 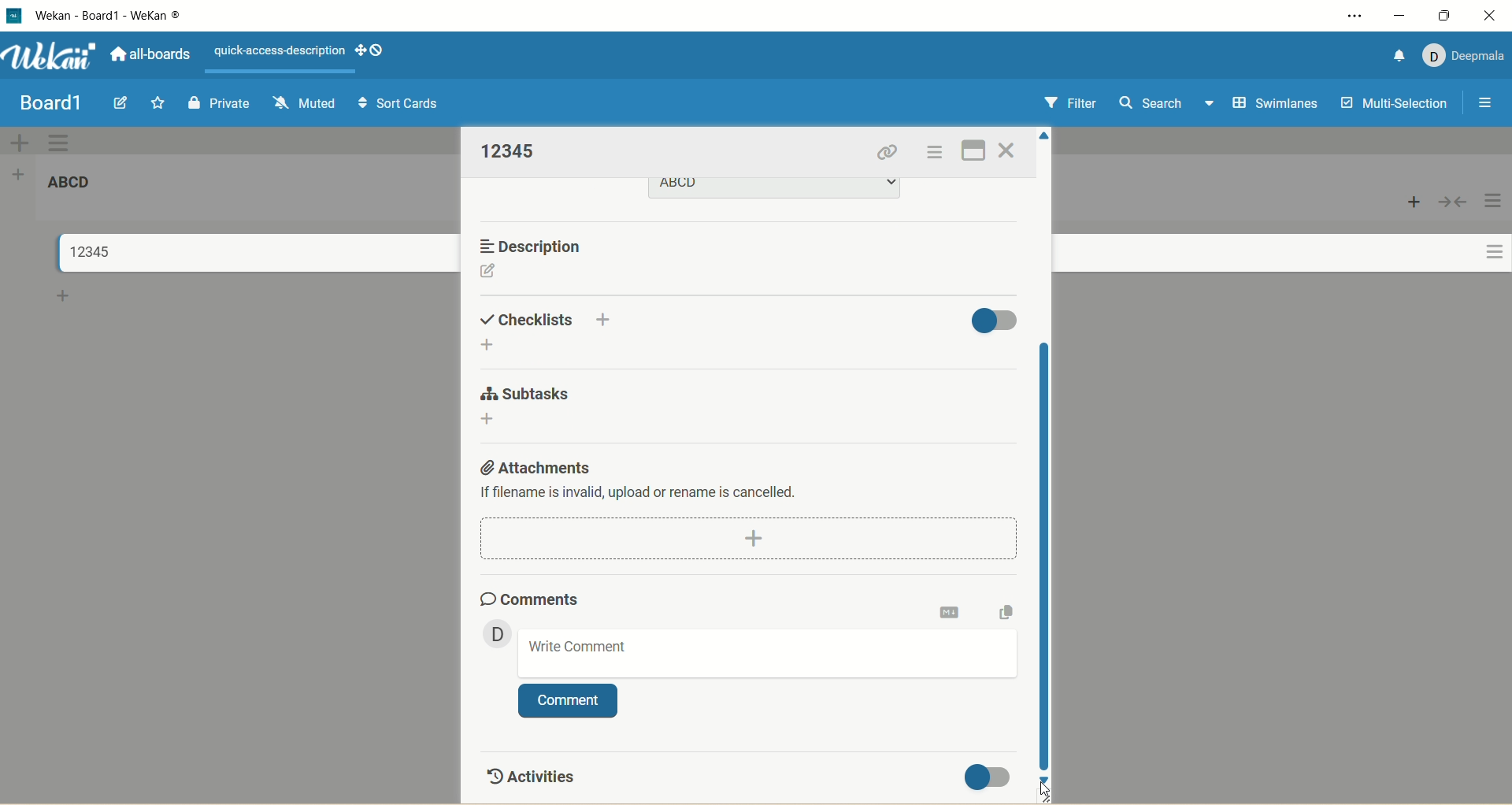 I want to click on swimlane actions, so click(x=60, y=143).